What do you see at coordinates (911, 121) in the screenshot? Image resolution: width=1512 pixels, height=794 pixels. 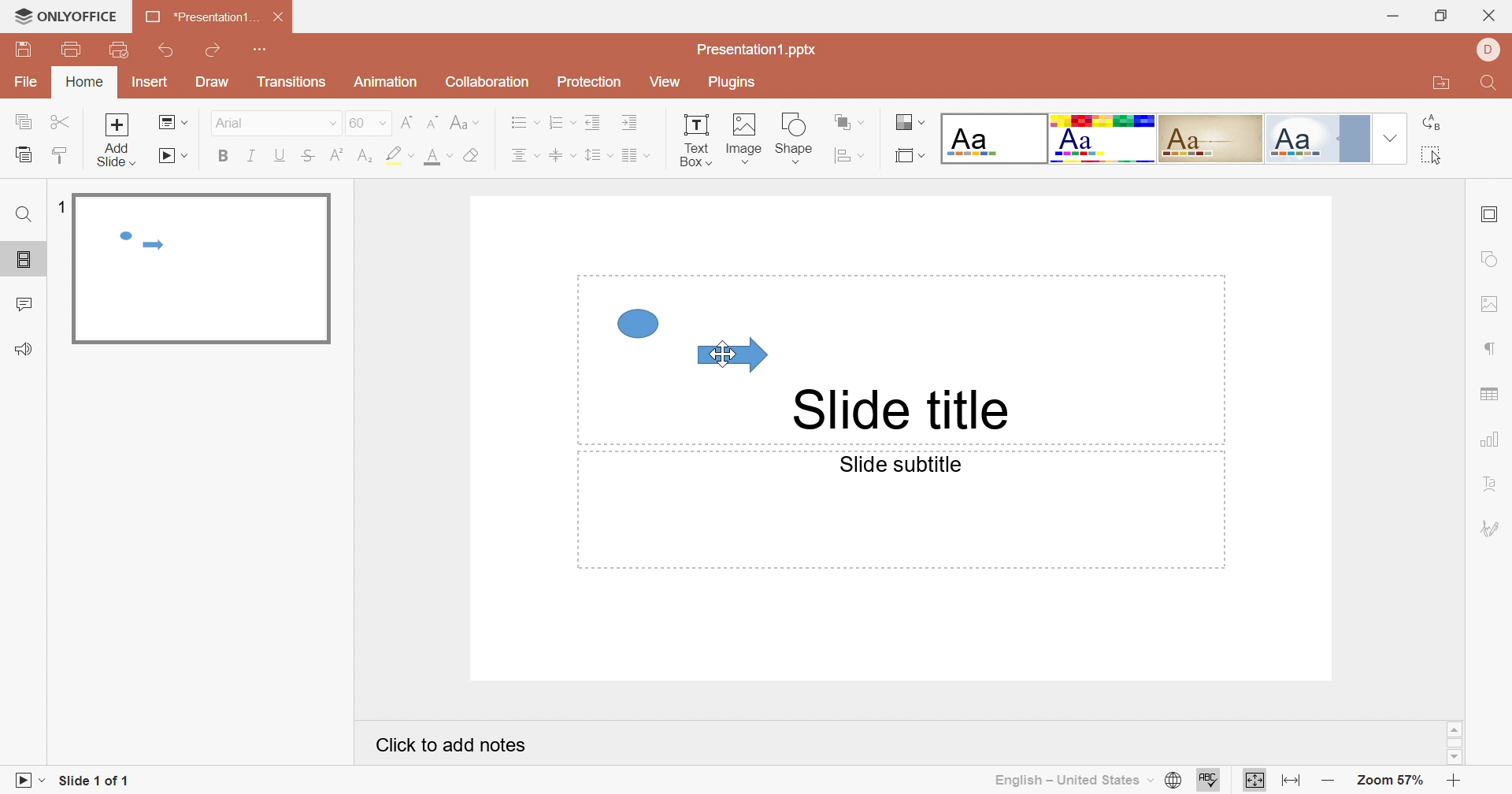 I see `Change color theme` at bounding box center [911, 121].